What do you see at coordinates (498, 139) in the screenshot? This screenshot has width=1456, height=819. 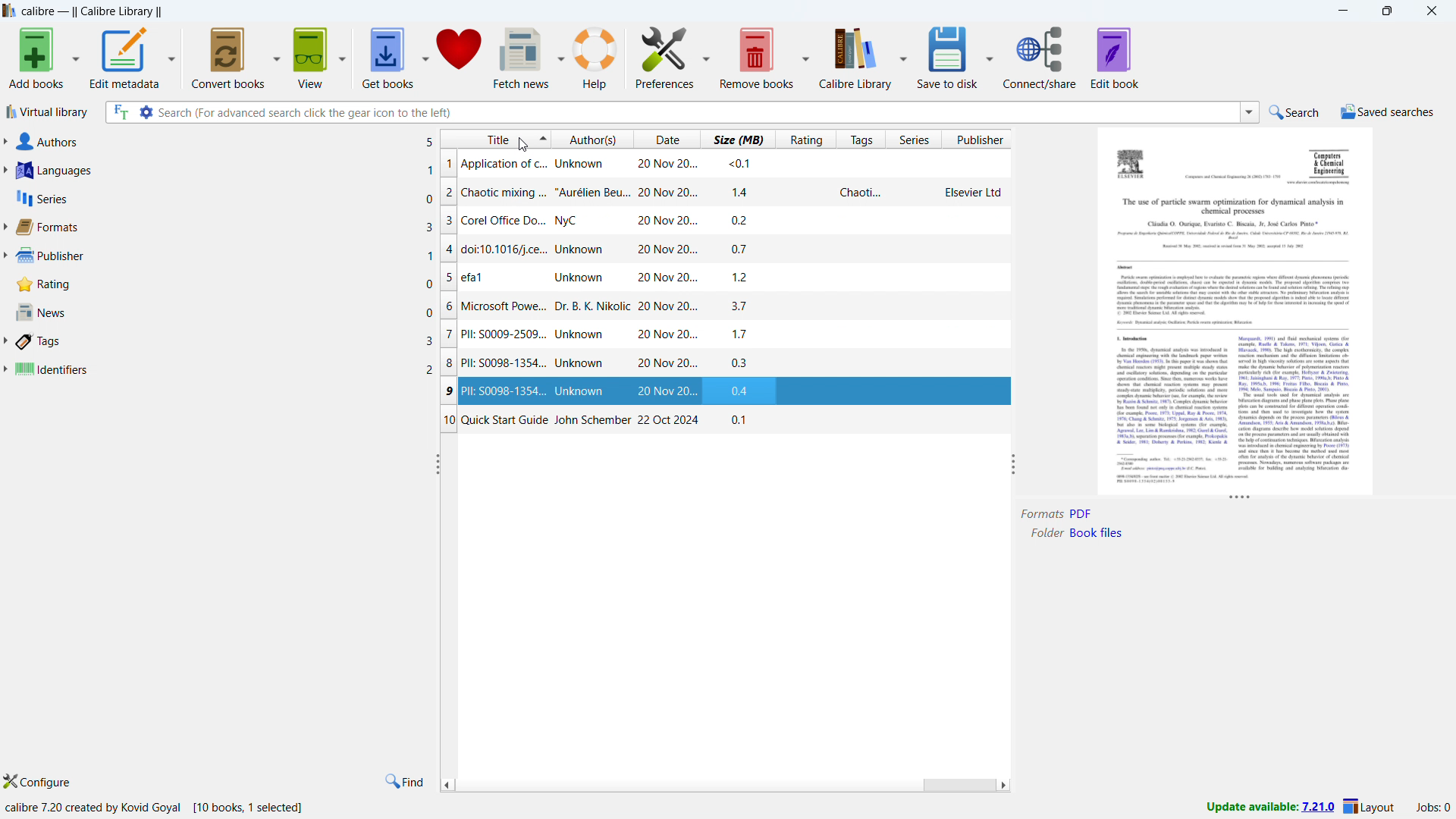 I see `sort by title` at bounding box center [498, 139].